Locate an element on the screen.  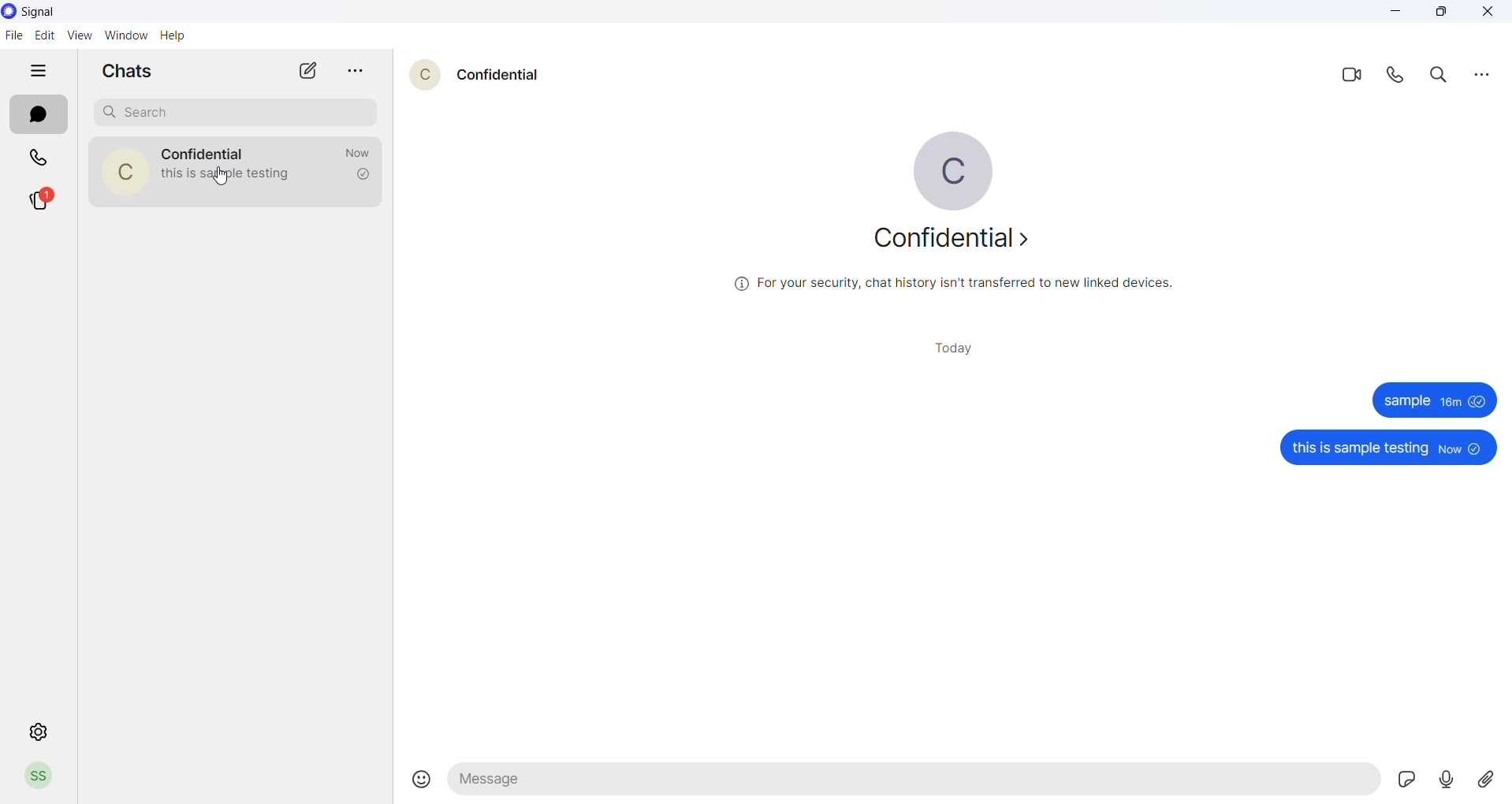
signal is located at coordinates (40, 13).